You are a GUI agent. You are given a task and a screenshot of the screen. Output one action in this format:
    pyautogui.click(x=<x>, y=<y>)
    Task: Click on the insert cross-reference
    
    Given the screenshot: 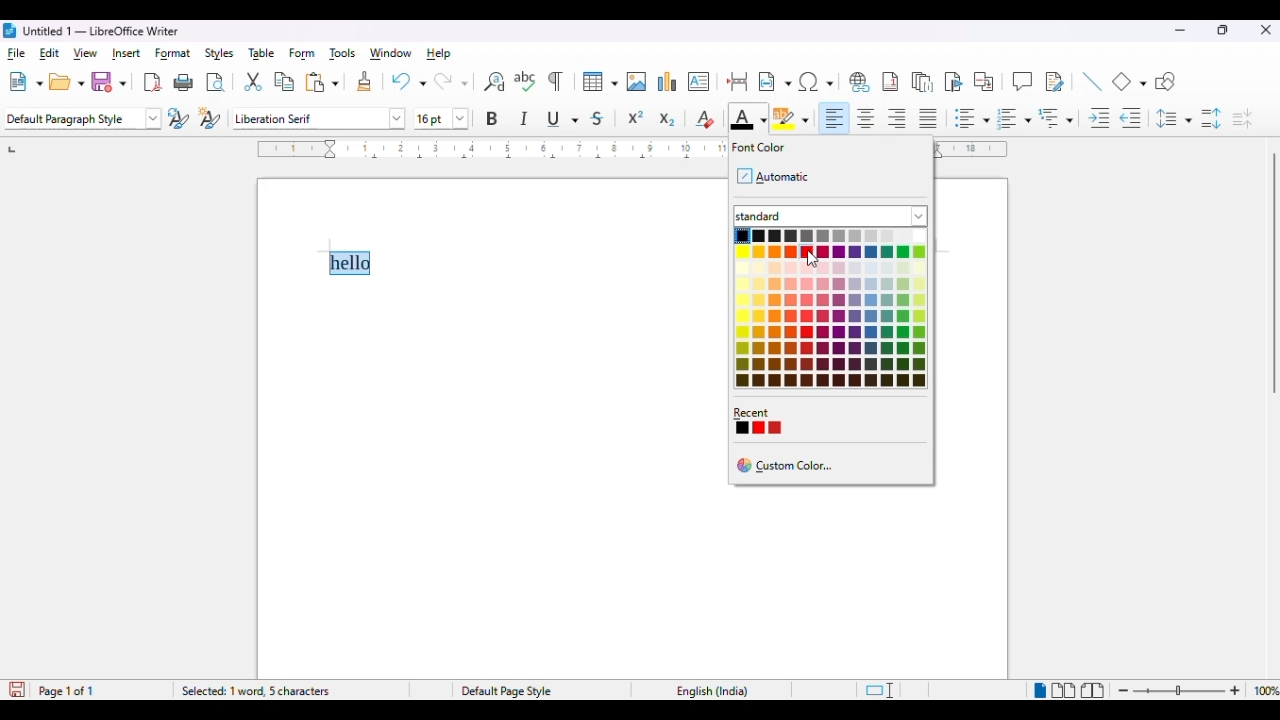 What is the action you would take?
    pyautogui.click(x=985, y=82)
    